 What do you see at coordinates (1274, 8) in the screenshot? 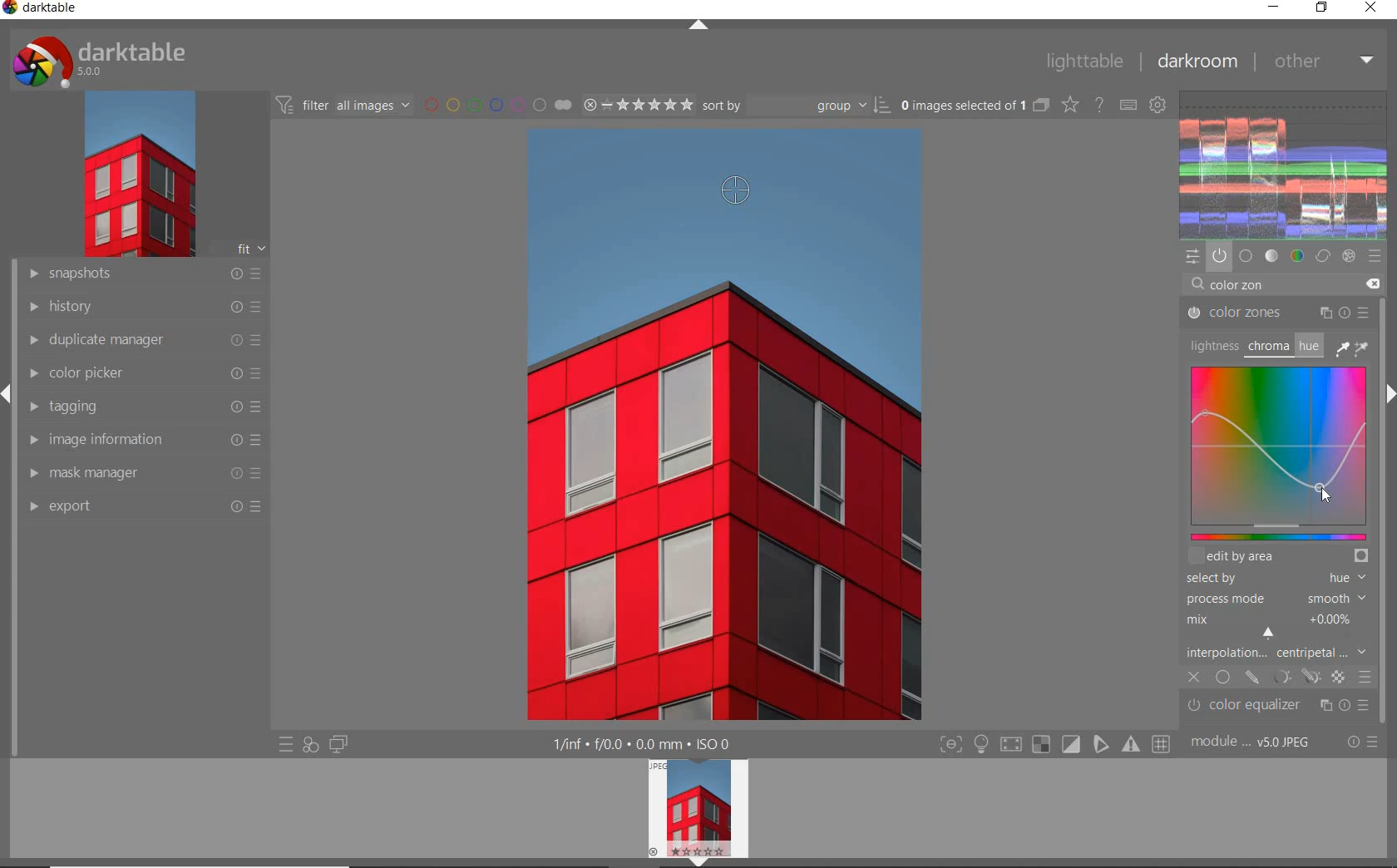
I see `minimize` at bounding box center [1274, 8].